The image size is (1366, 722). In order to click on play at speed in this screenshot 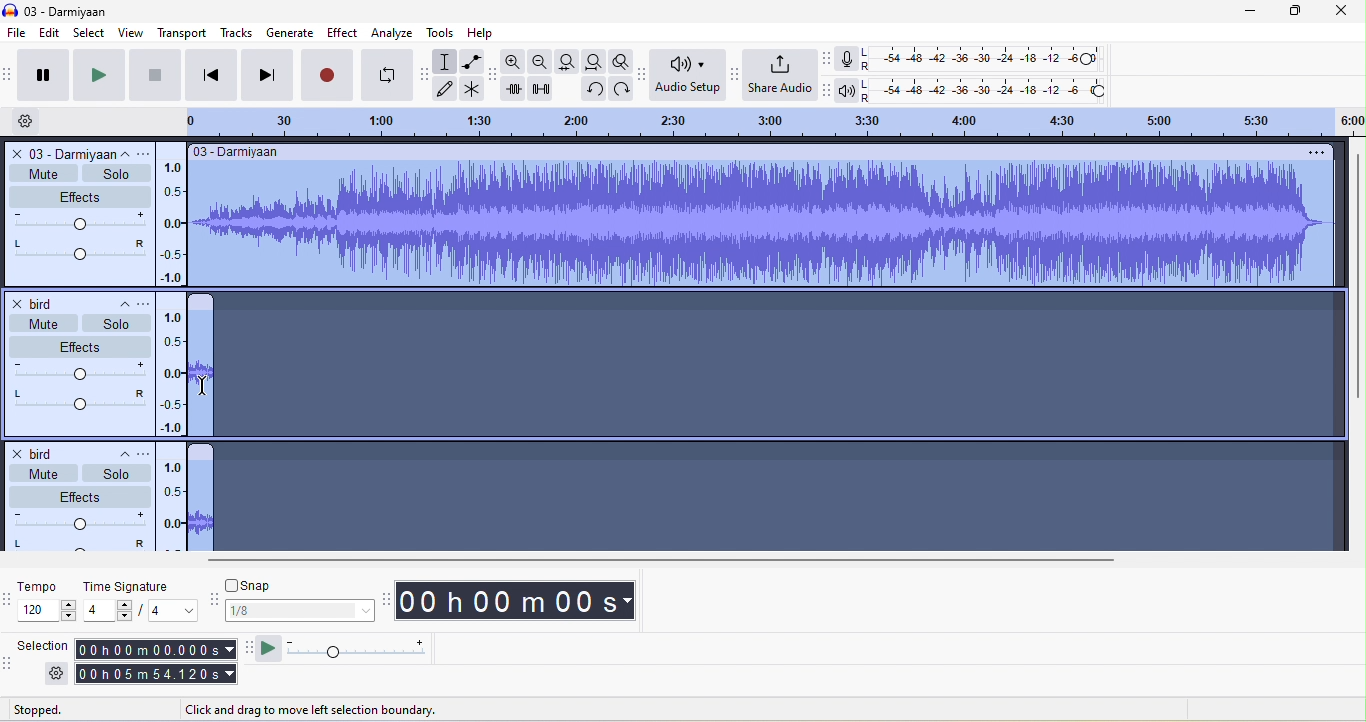, I will do `click(354, 648)`.